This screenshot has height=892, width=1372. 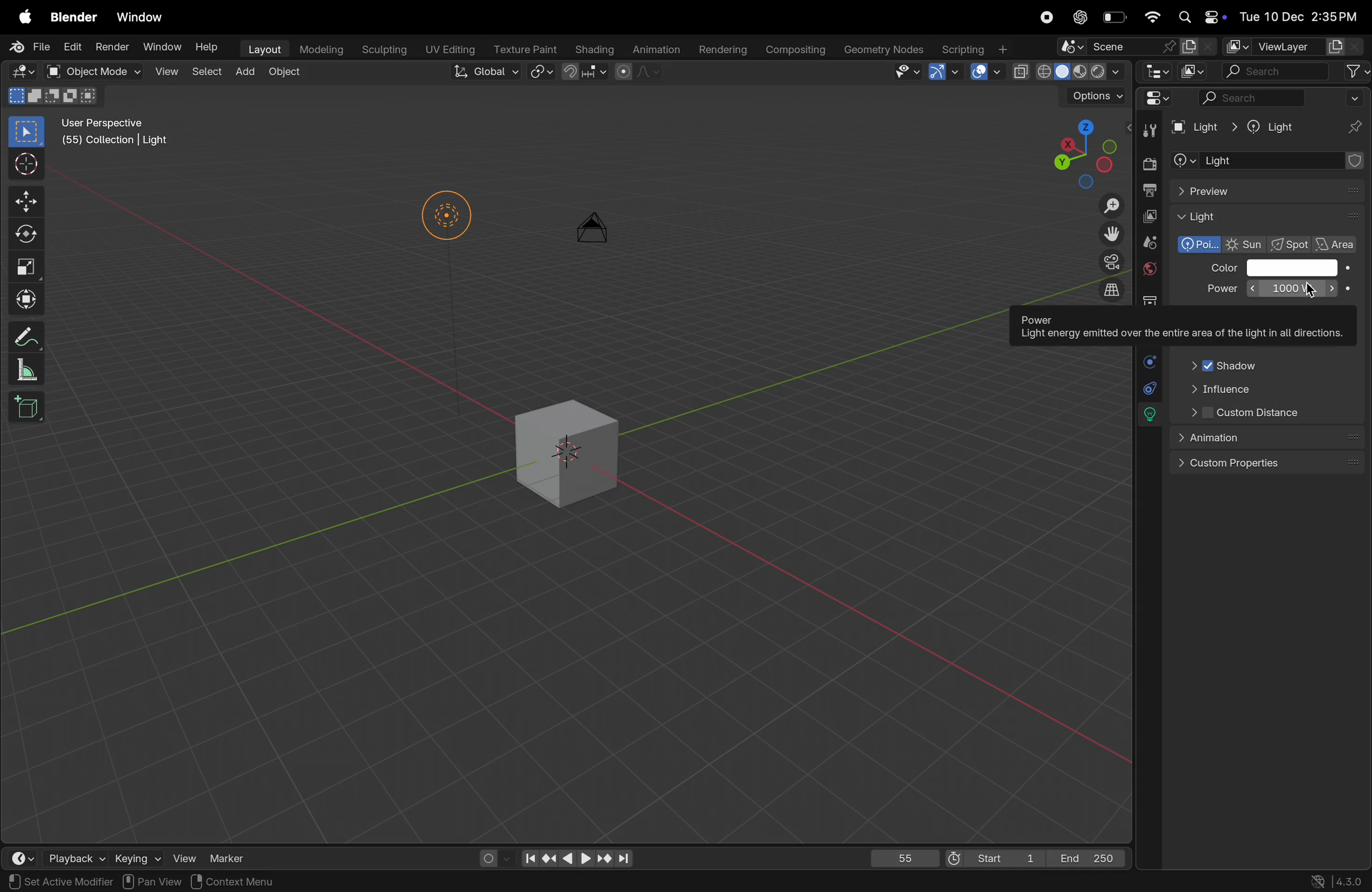 What do you see at coordinates (142, 17) in the screenshot?
I see `window` at bounding box center [142, 17].